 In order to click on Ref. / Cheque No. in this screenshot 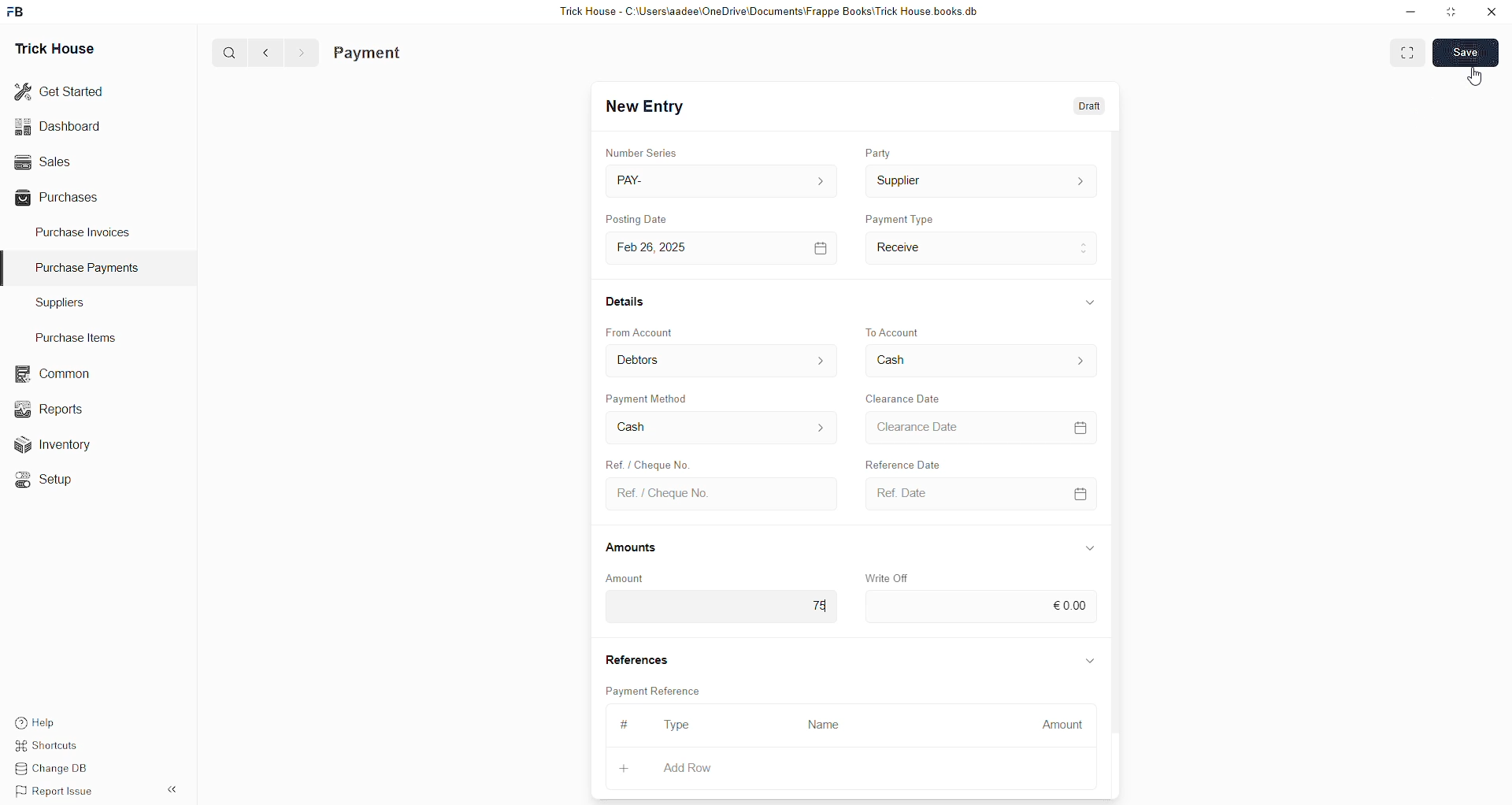, I will do `click(719, 492)`.